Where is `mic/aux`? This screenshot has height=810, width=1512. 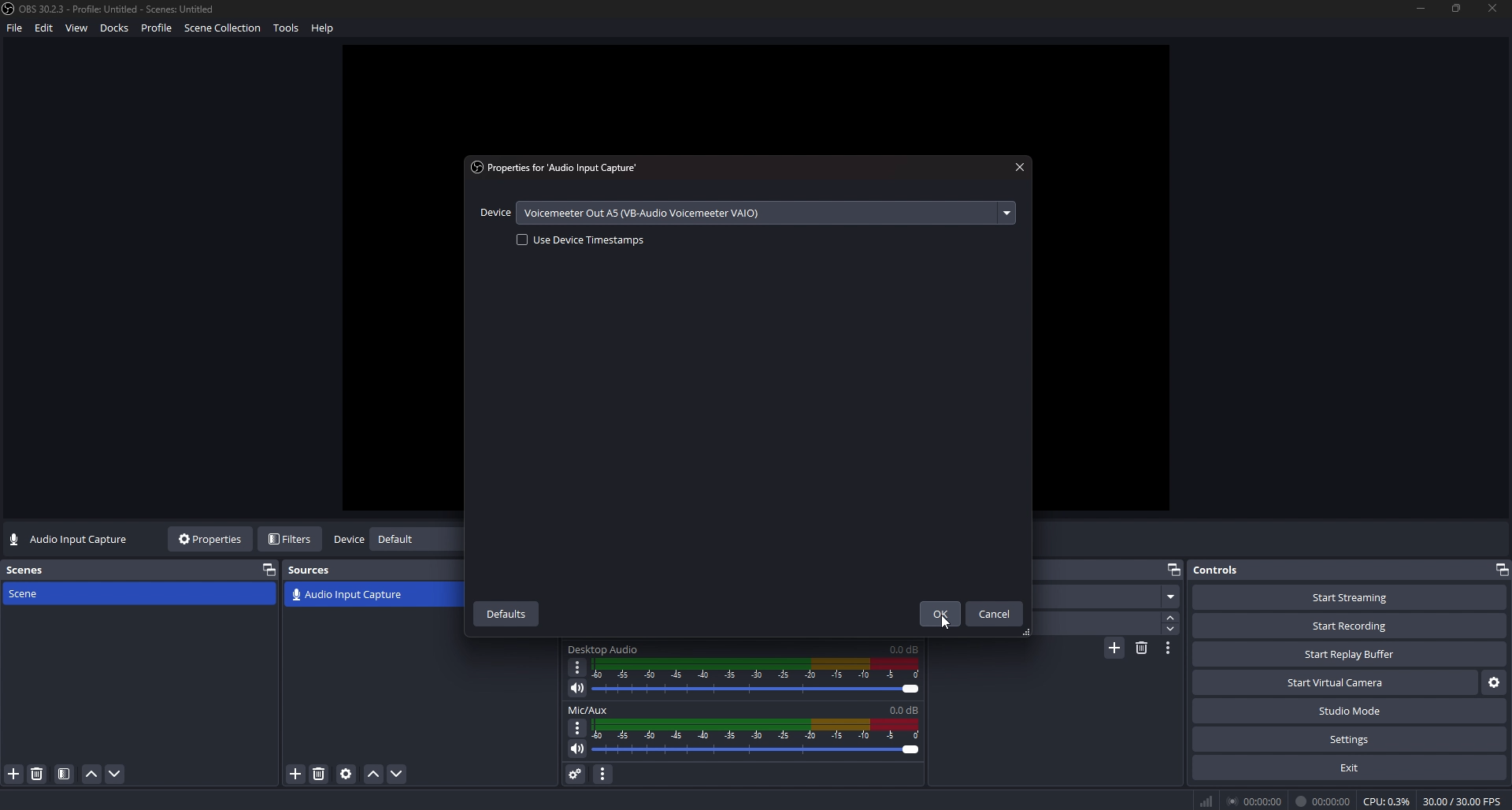
mic/aux is located at coordinates (598, 709).